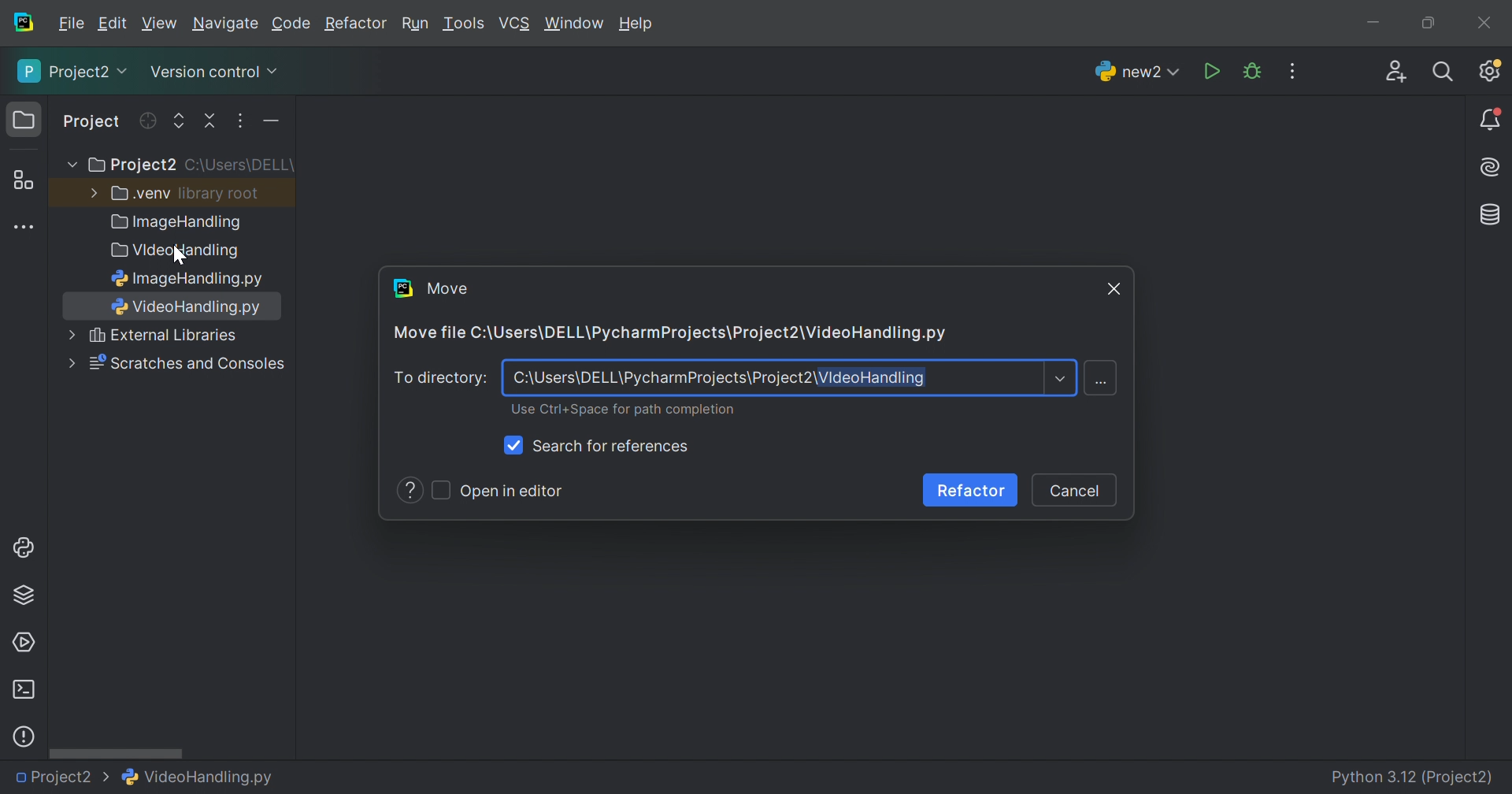  What do you see at coordinates (612, 447) in the screenshot?
I see `Search fir references` at bounding box center [612, 447].